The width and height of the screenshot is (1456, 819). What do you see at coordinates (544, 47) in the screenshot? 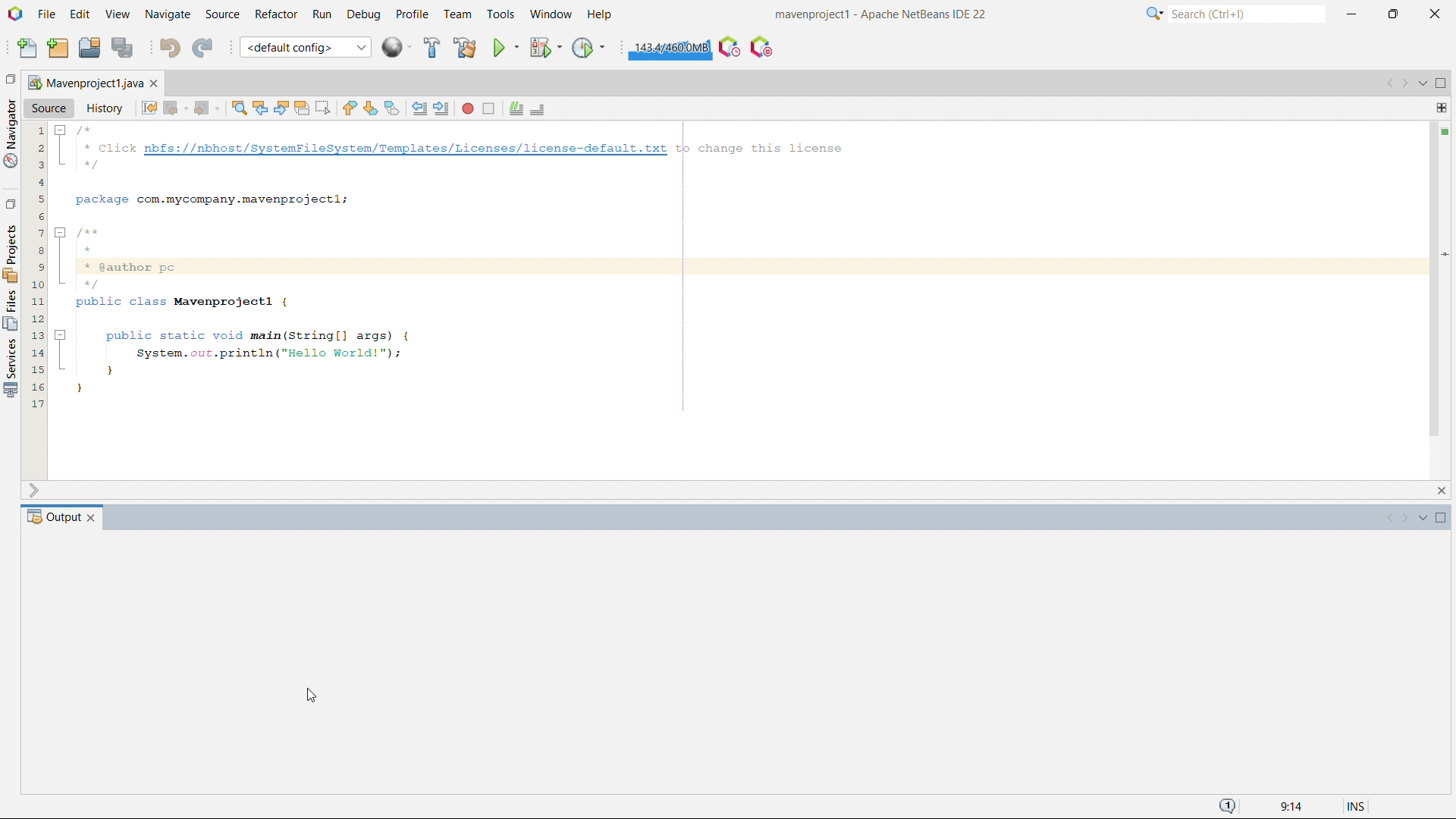
I see `debug project` at bounding box center [544, 47].